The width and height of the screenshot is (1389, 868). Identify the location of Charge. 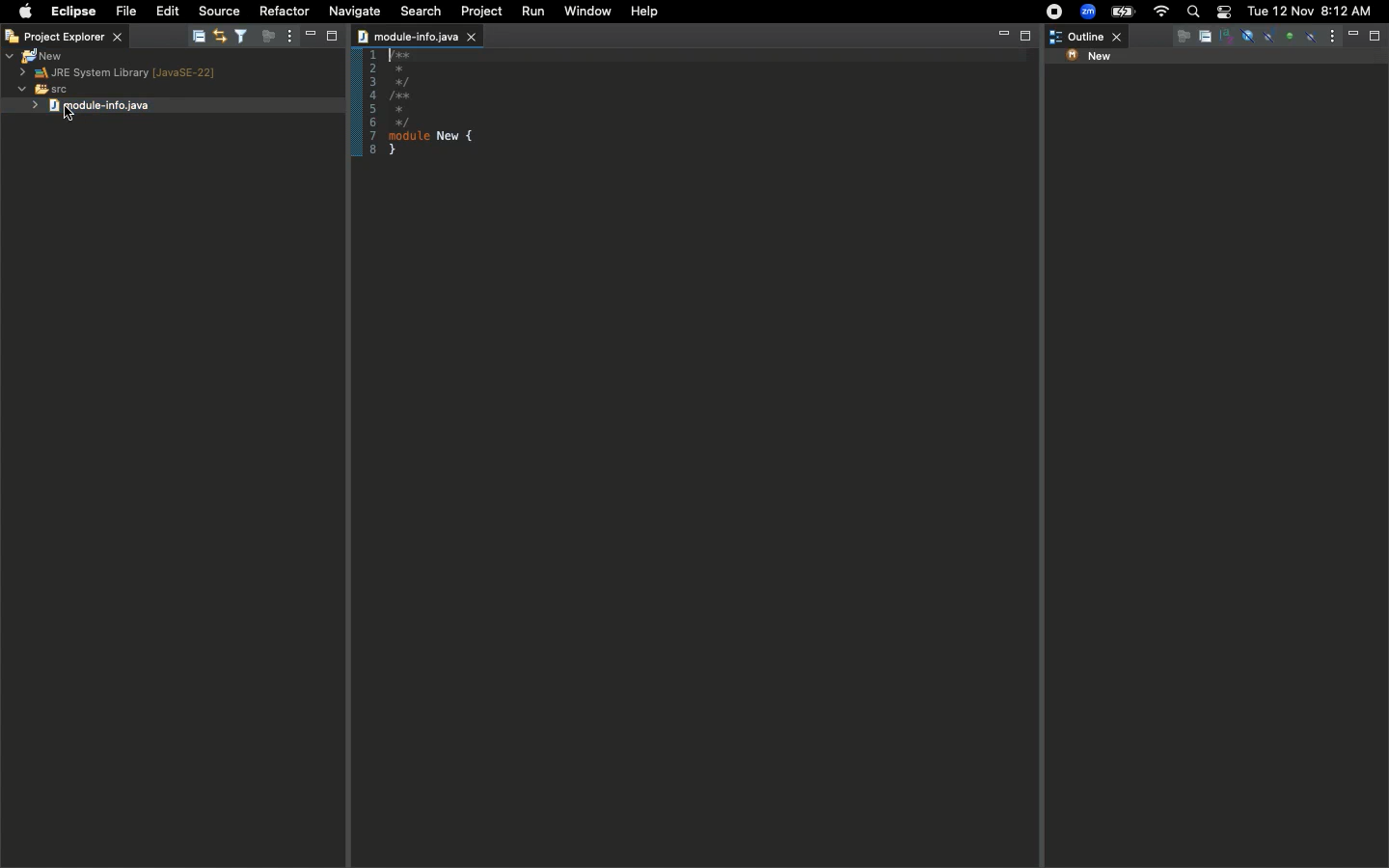
(1119, 14).